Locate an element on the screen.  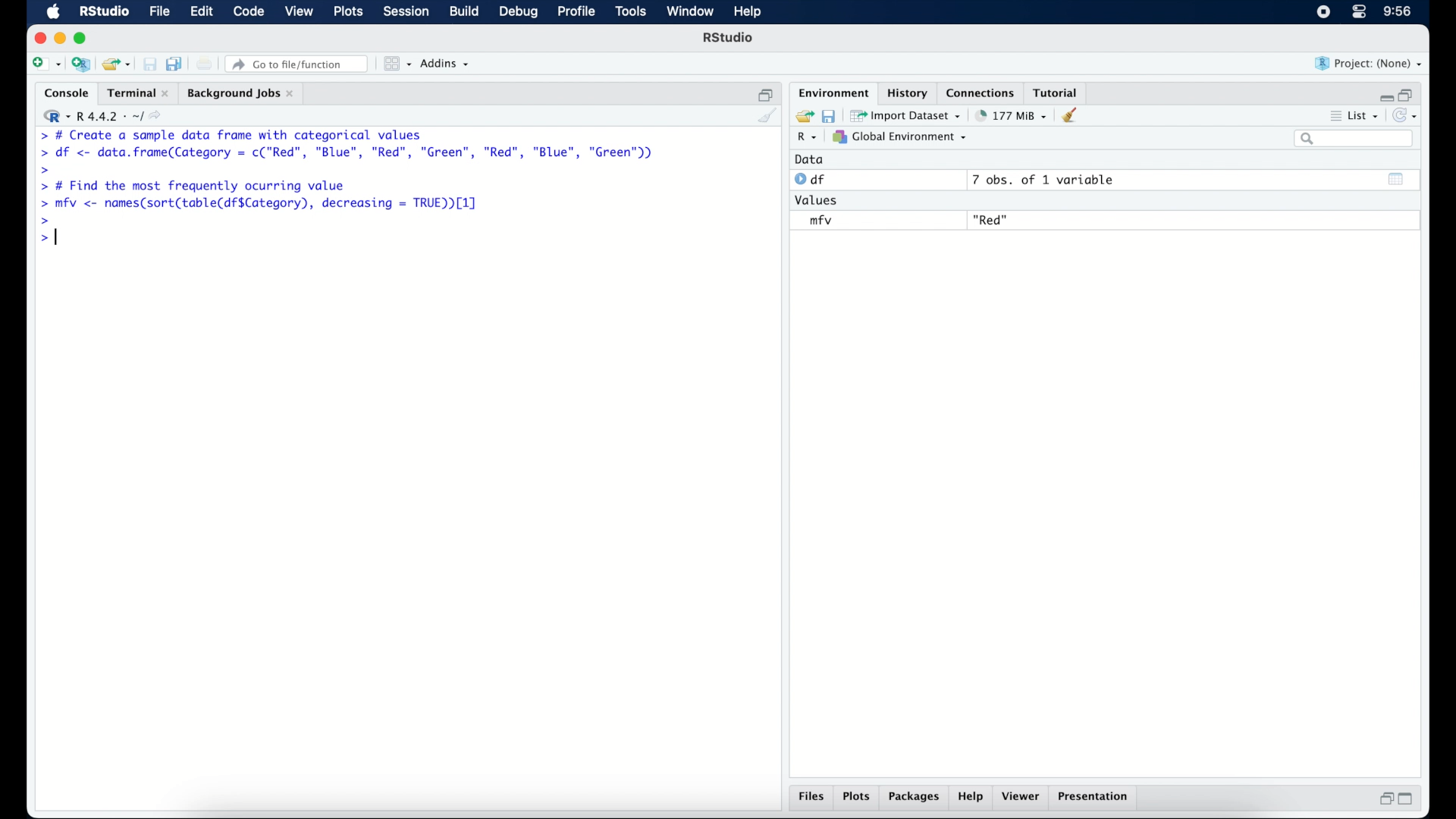
data is located at coordinates (814, 159).